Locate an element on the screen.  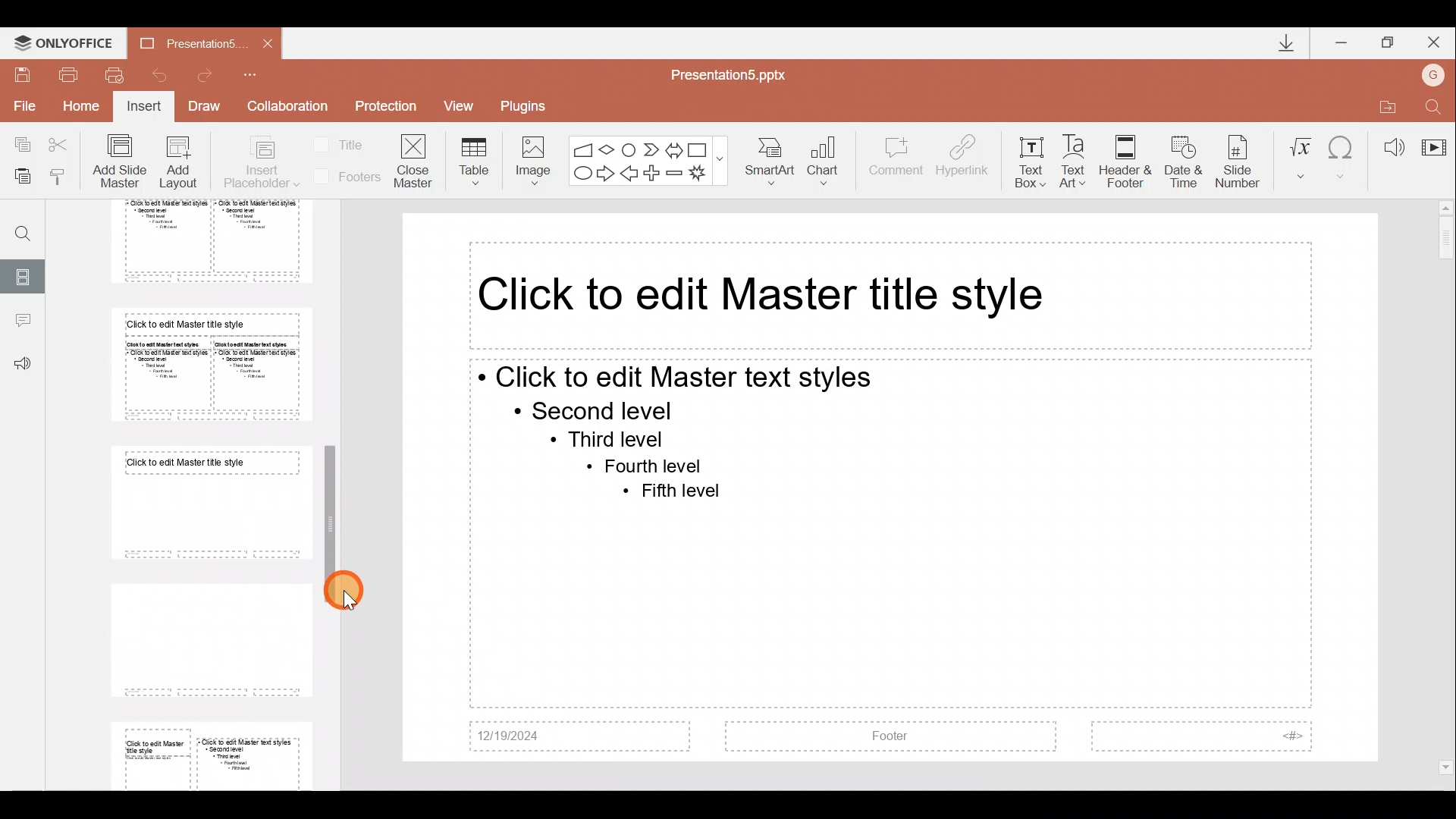
Collaboration is located at coordinates (287, 106).